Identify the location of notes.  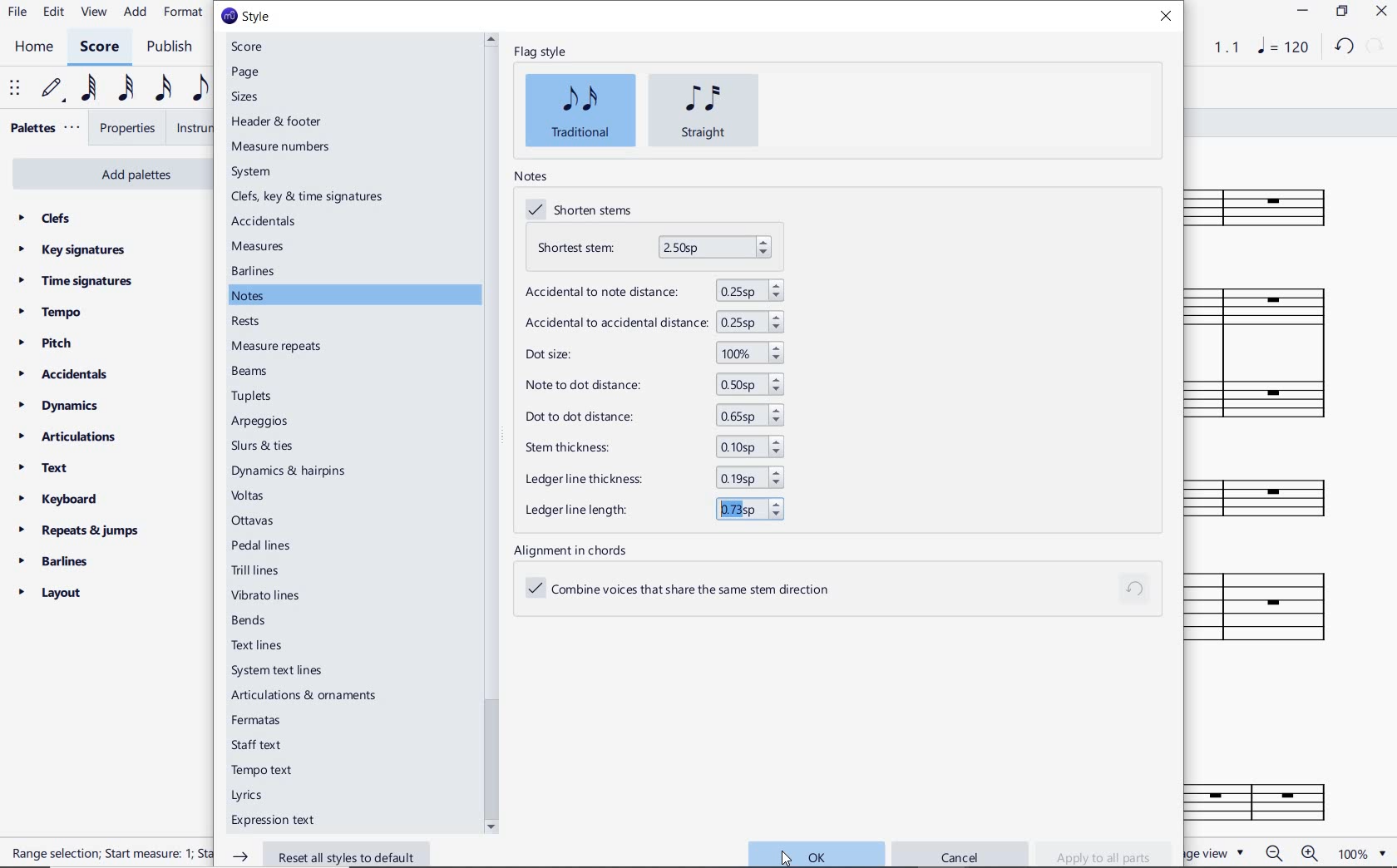
(252, 296).